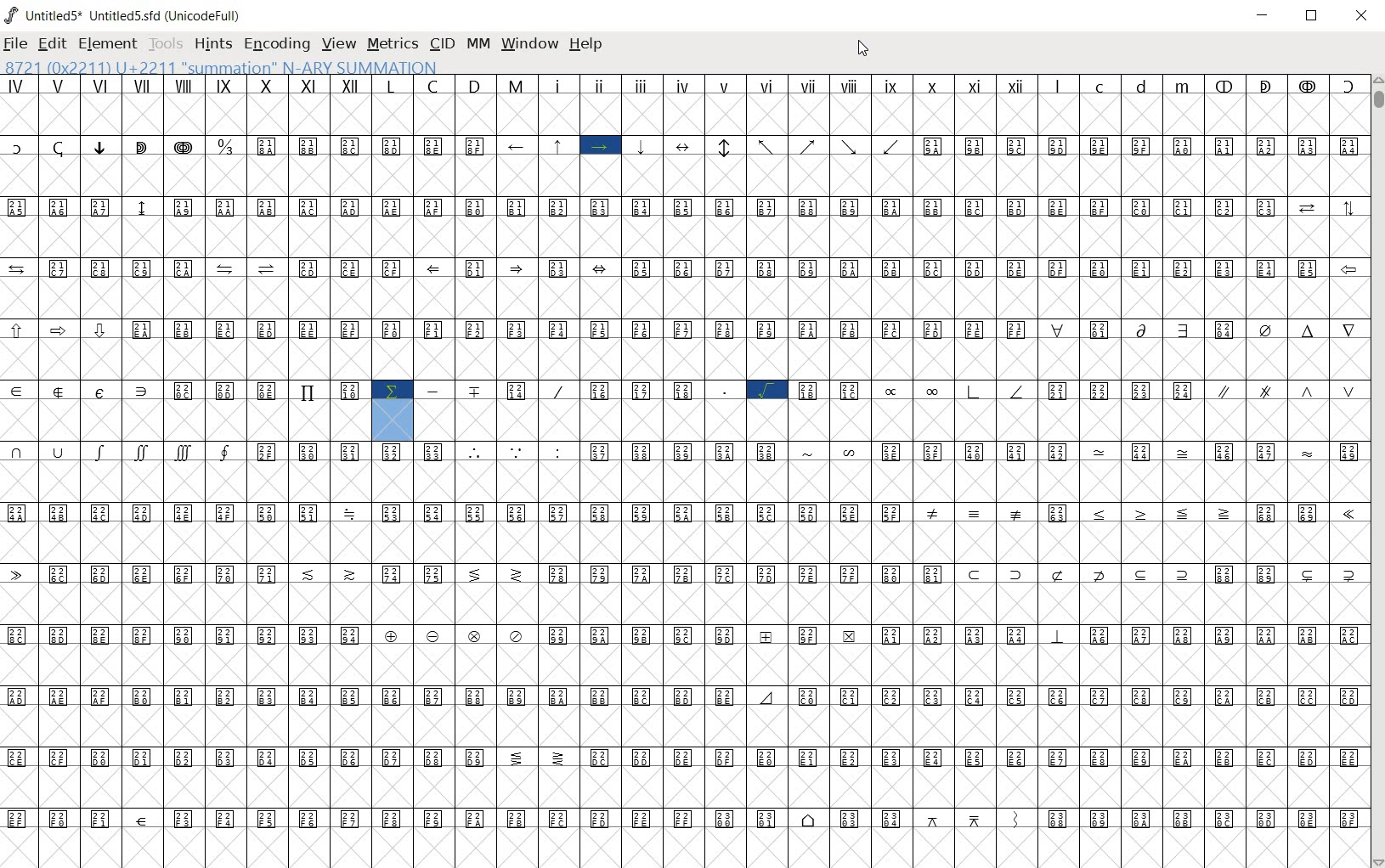  What do you see at coordinates (225, 67) in the screenshot?
I see `8721(0x2211) U+2211 "SUMMATION" N-ARY SUMMATION` at bounding box center [225, 67].